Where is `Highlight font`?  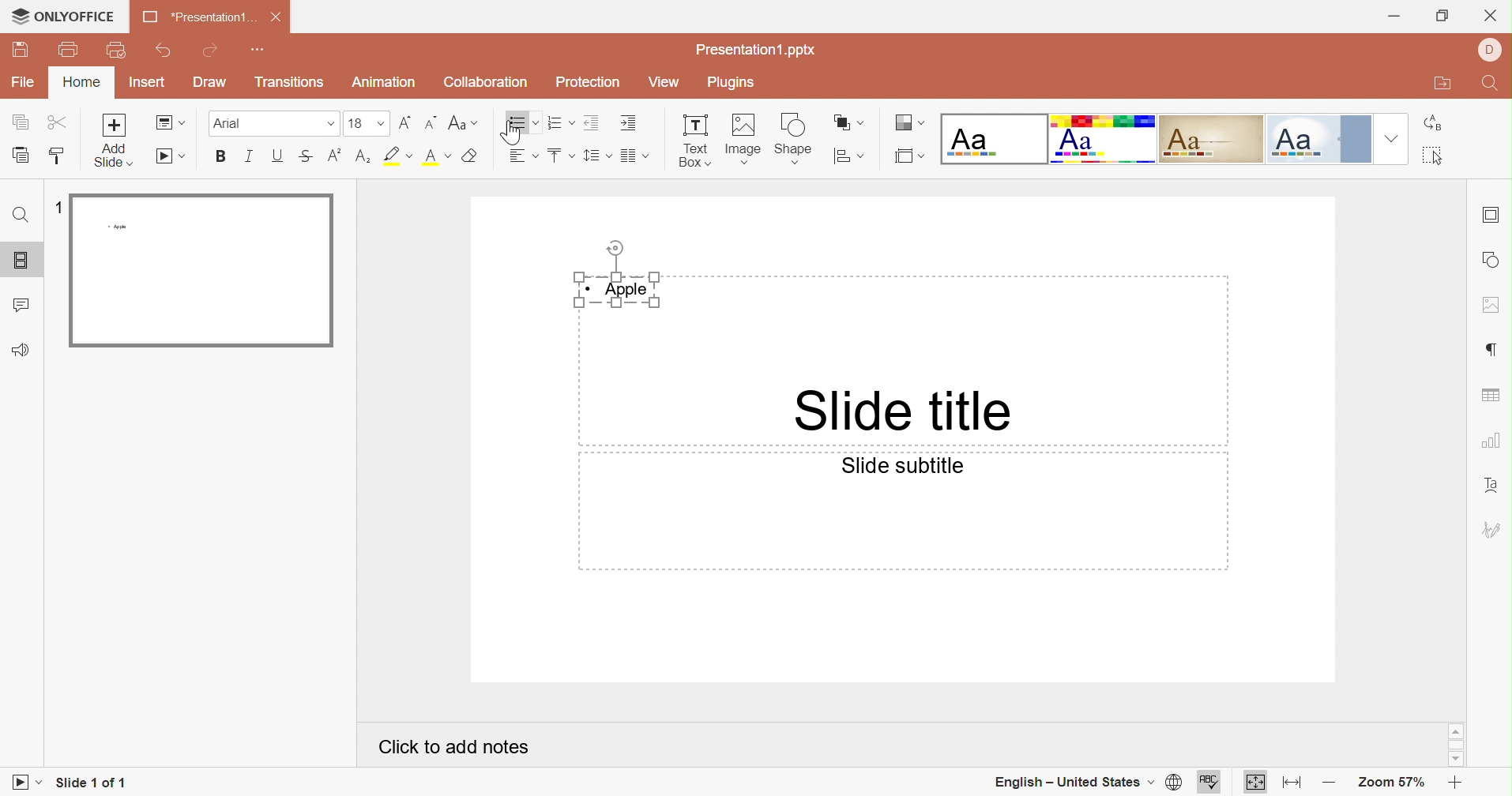
Highlight font is located at coordinates (399, 156).